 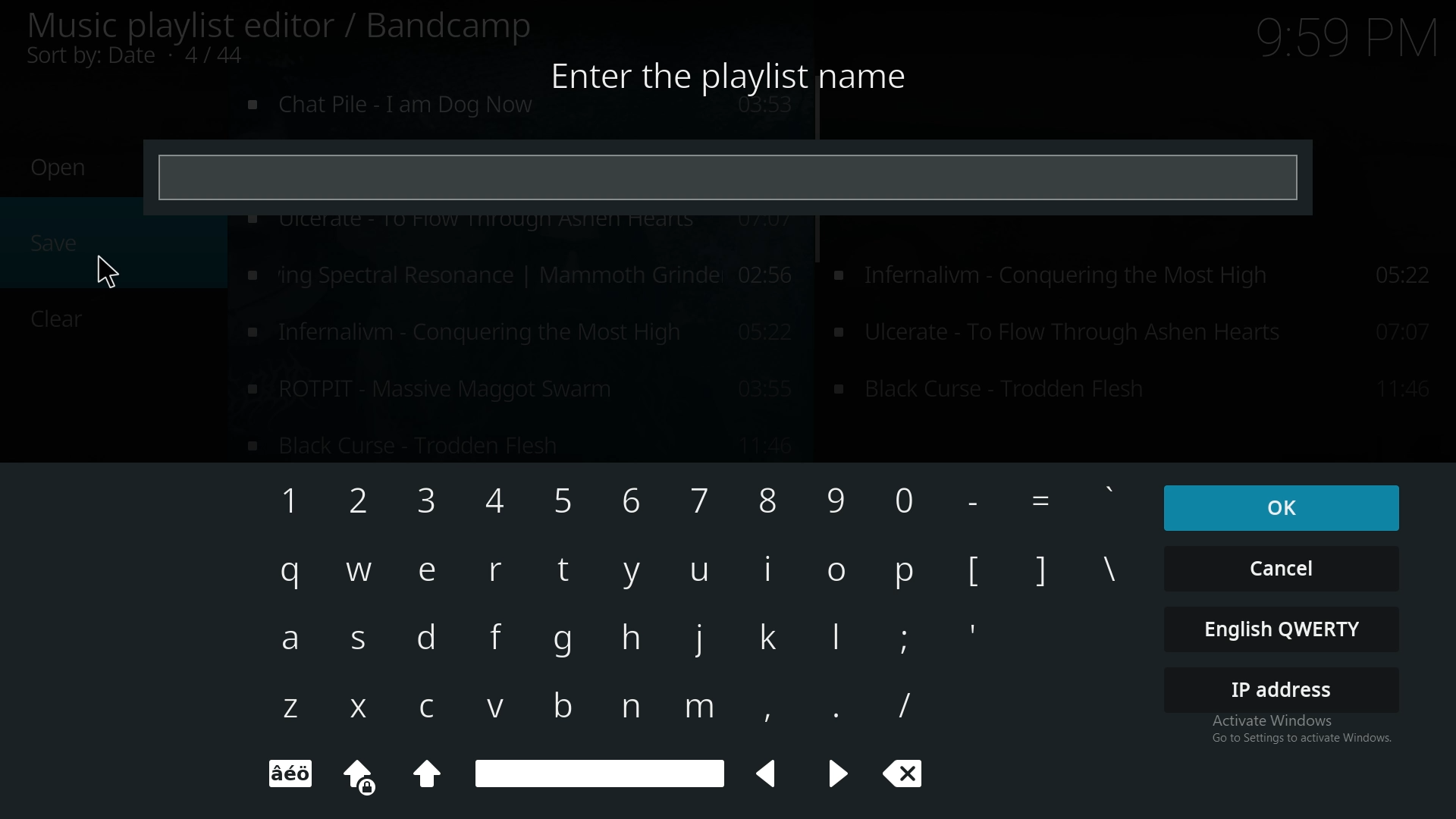 I want to click on keyboard input, so click(x=764, y=710).